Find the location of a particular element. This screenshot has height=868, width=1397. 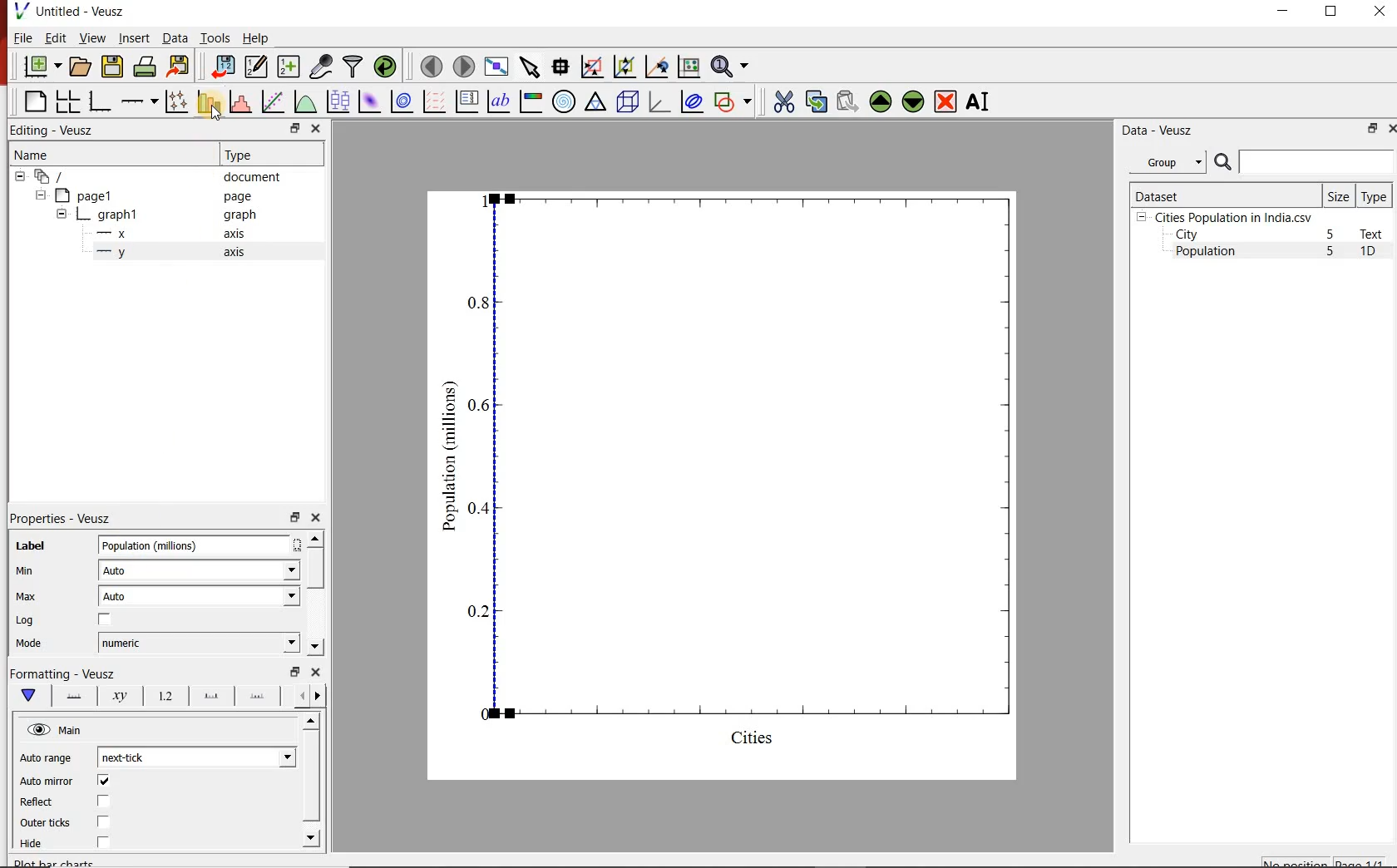

print the document is located at coordinates (144, 67).